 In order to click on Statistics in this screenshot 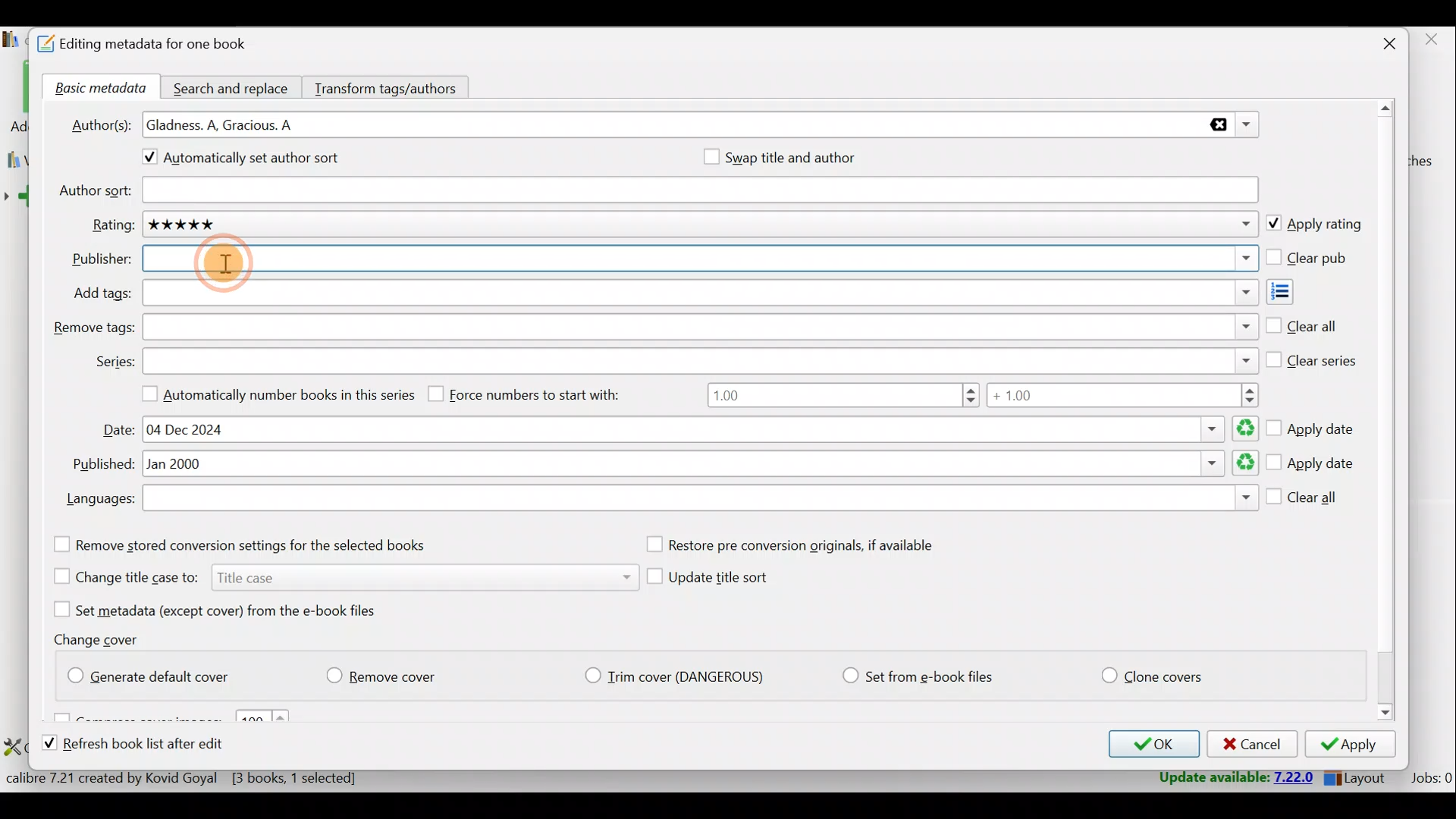, I will do `click(210, 777)`.